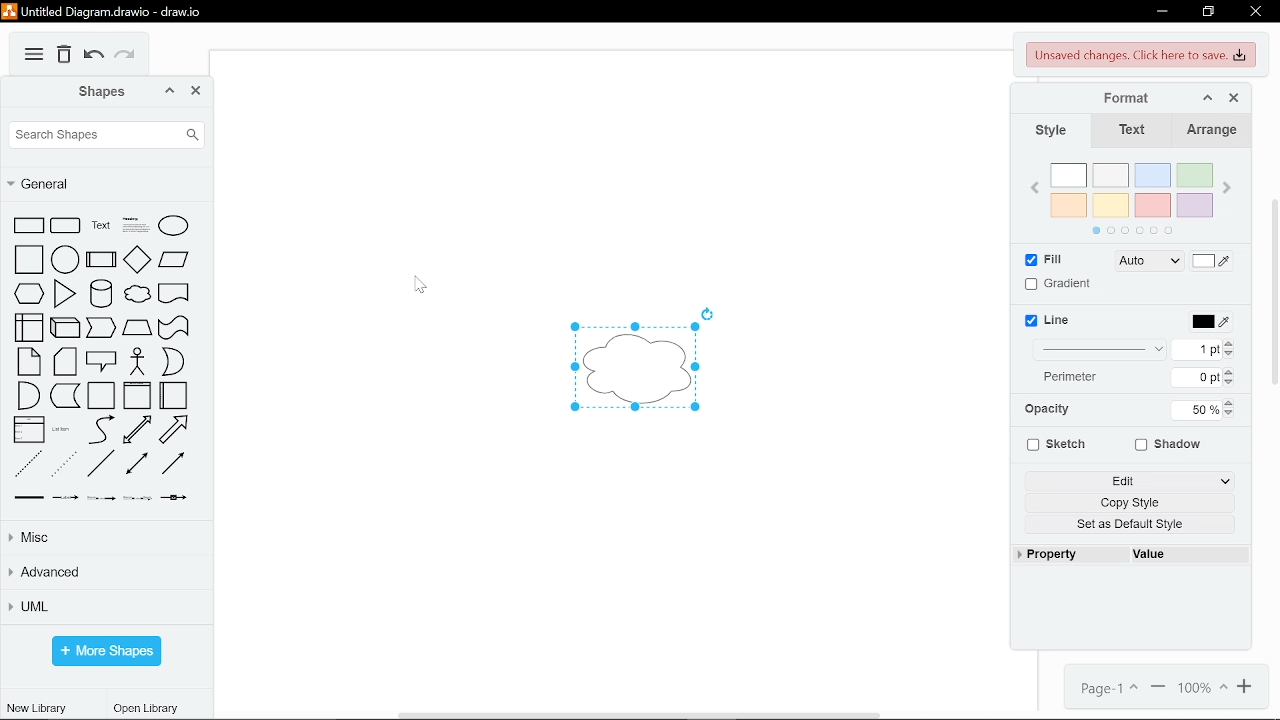 The height and width of the screenshot is (720, 1280). I want to click on page, so click(1112, 688).